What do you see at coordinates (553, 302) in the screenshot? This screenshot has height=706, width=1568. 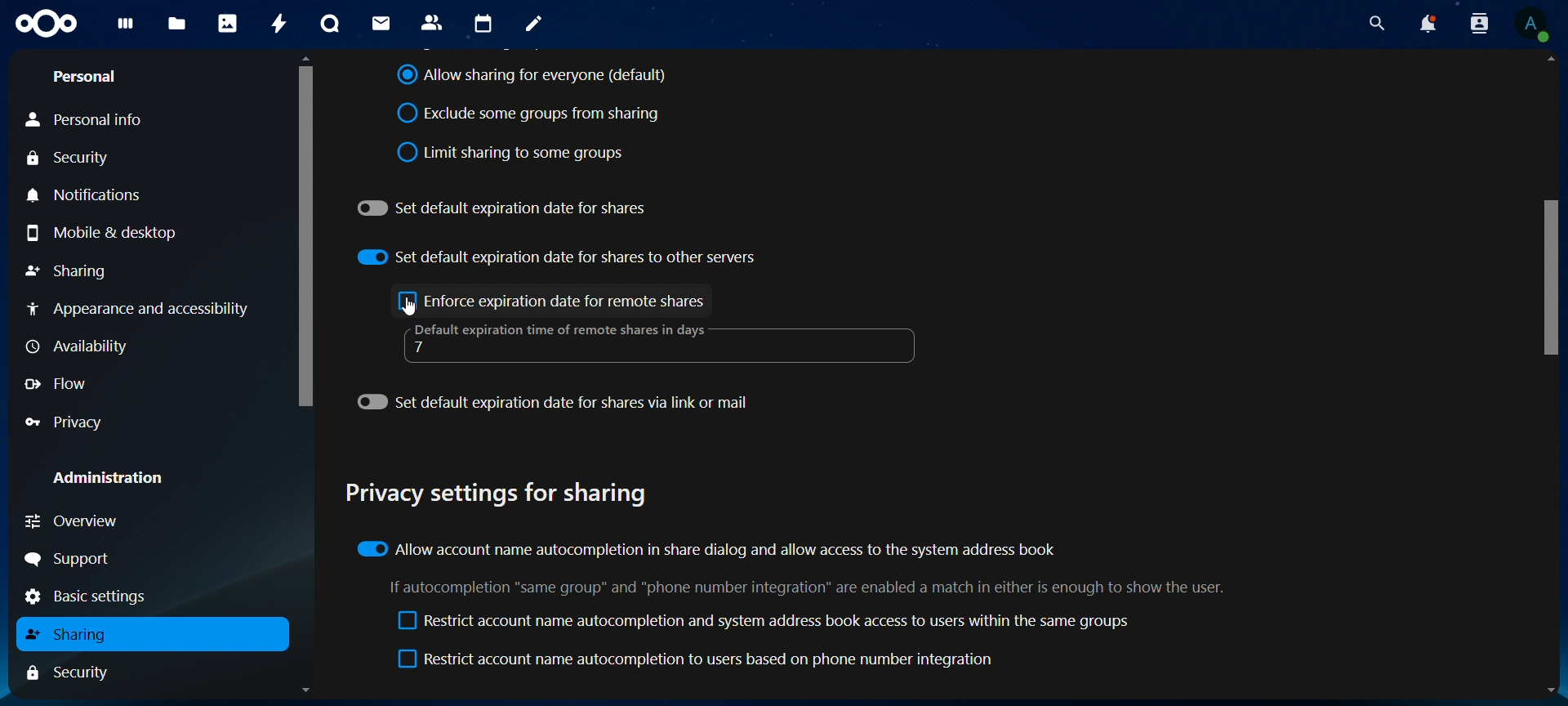 I see `enforce expiration datev for remote shares` at bounding box center [553, 302].